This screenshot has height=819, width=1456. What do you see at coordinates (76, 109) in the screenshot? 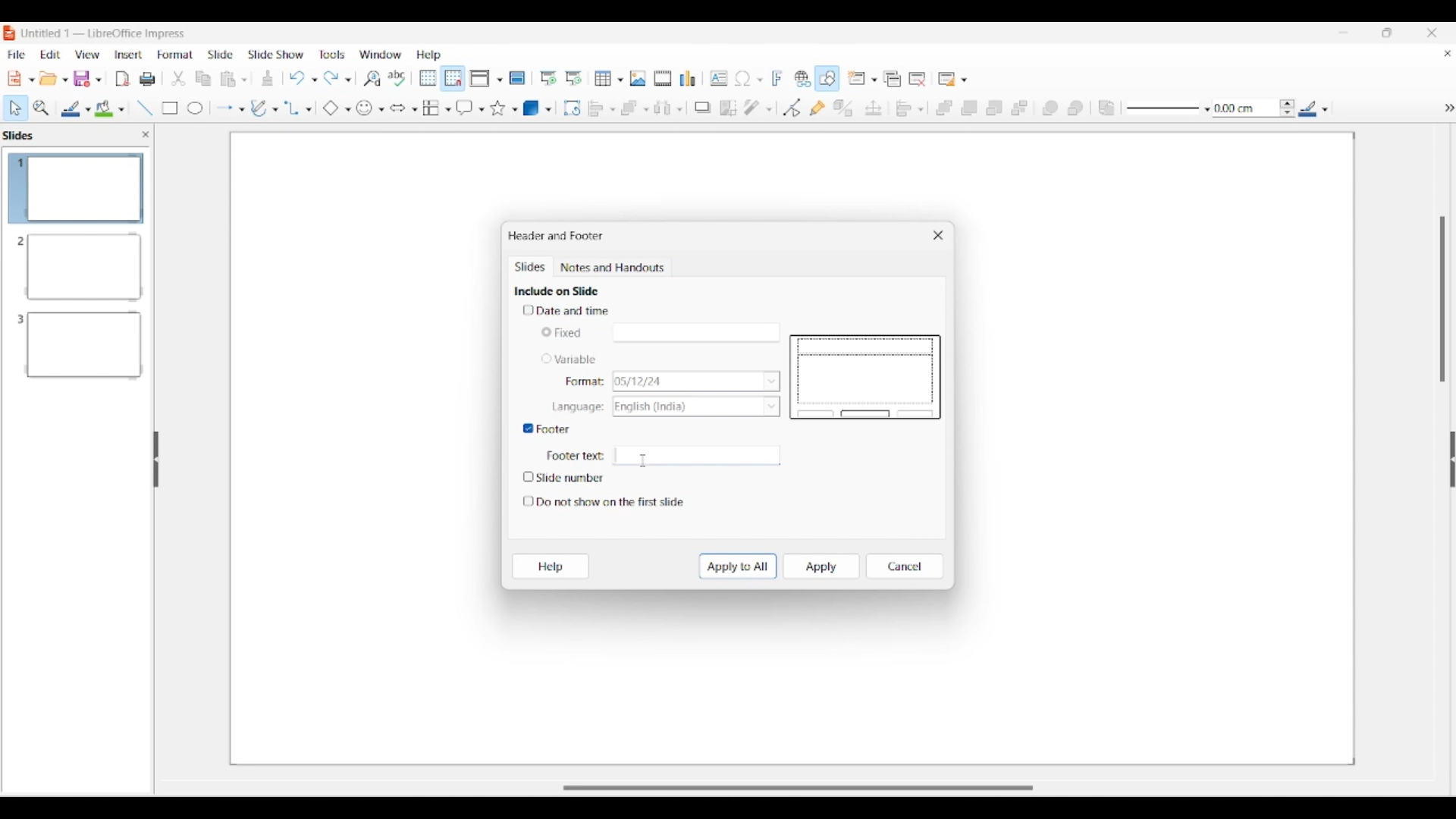
I see `Line color options ` at bounding box center [76, 109].